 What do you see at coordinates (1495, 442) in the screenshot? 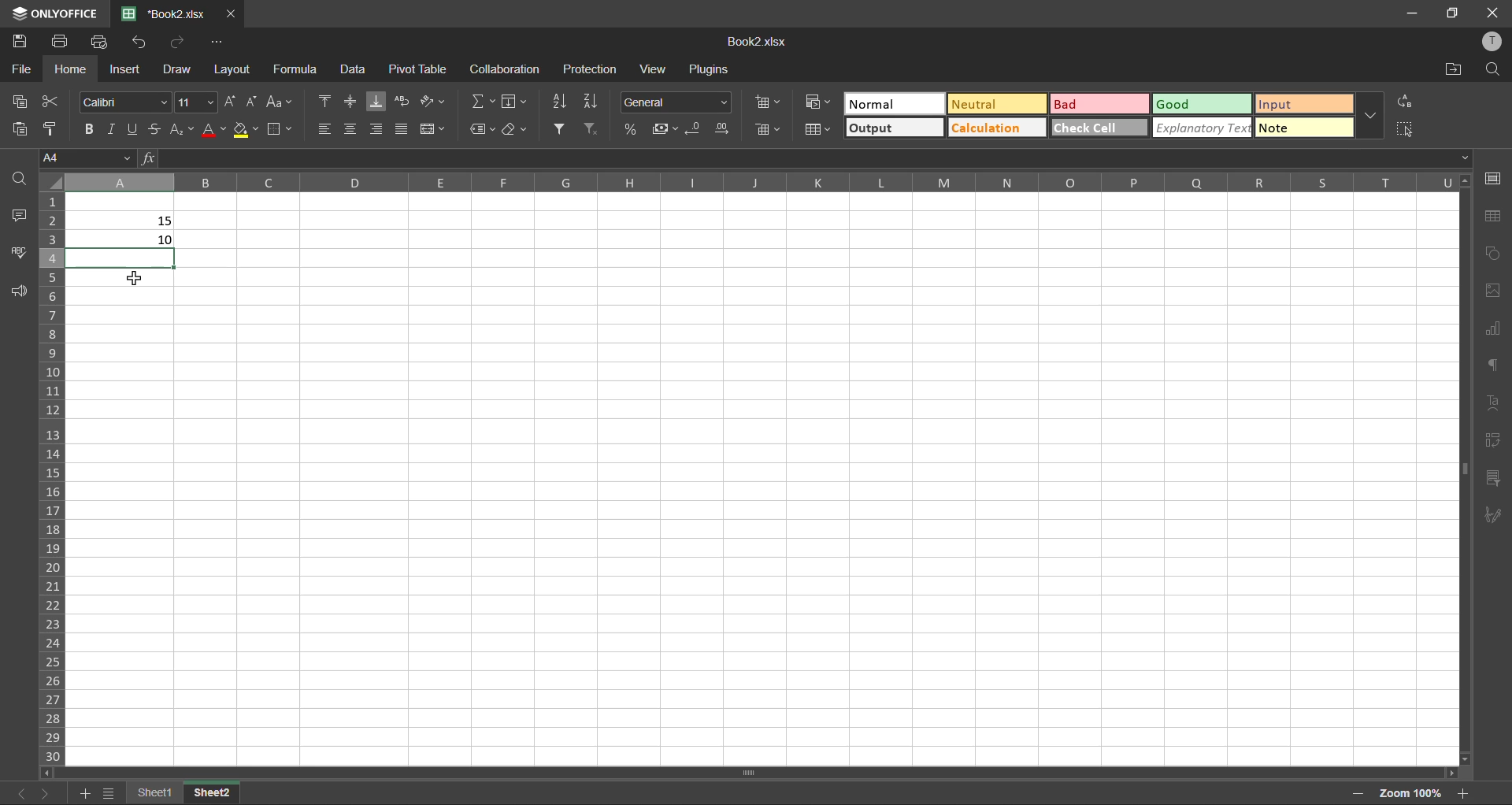
I see `pivot table` at bounding box center [1495, 442].